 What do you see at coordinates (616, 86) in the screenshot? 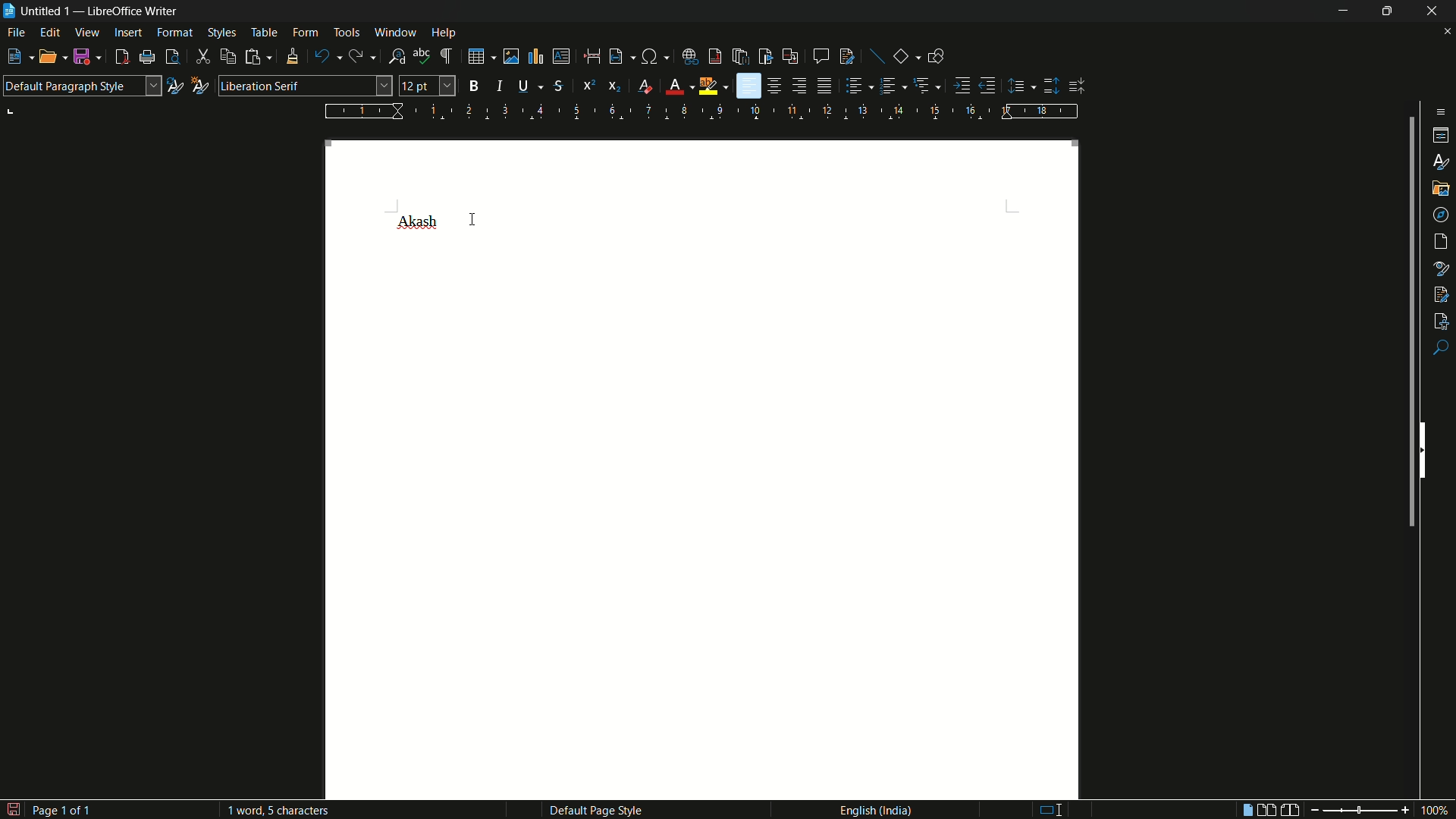
I see `subscript` at bounding box center [616, 86].